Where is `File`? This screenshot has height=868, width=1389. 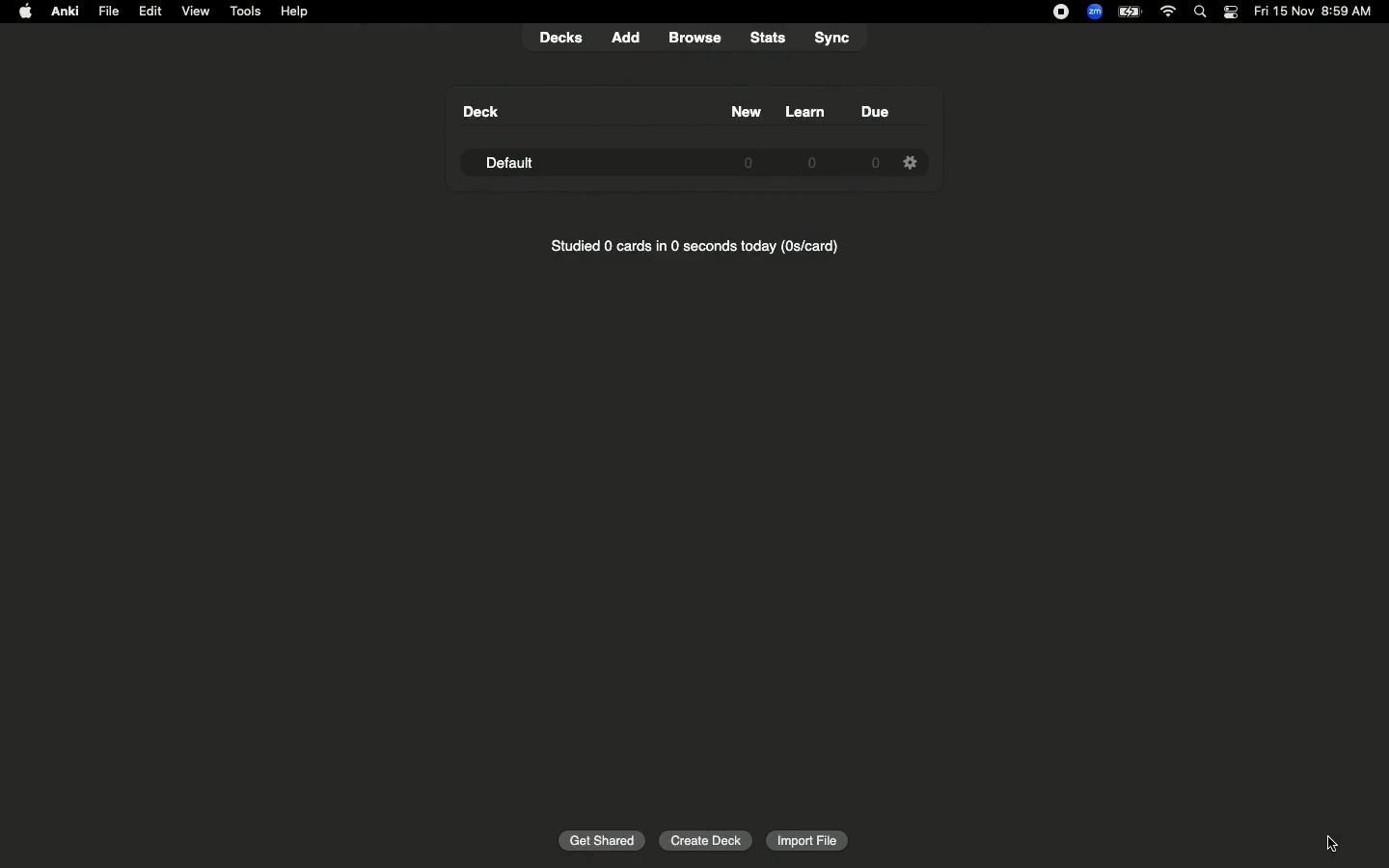 File is located at coordinates (110, 10).